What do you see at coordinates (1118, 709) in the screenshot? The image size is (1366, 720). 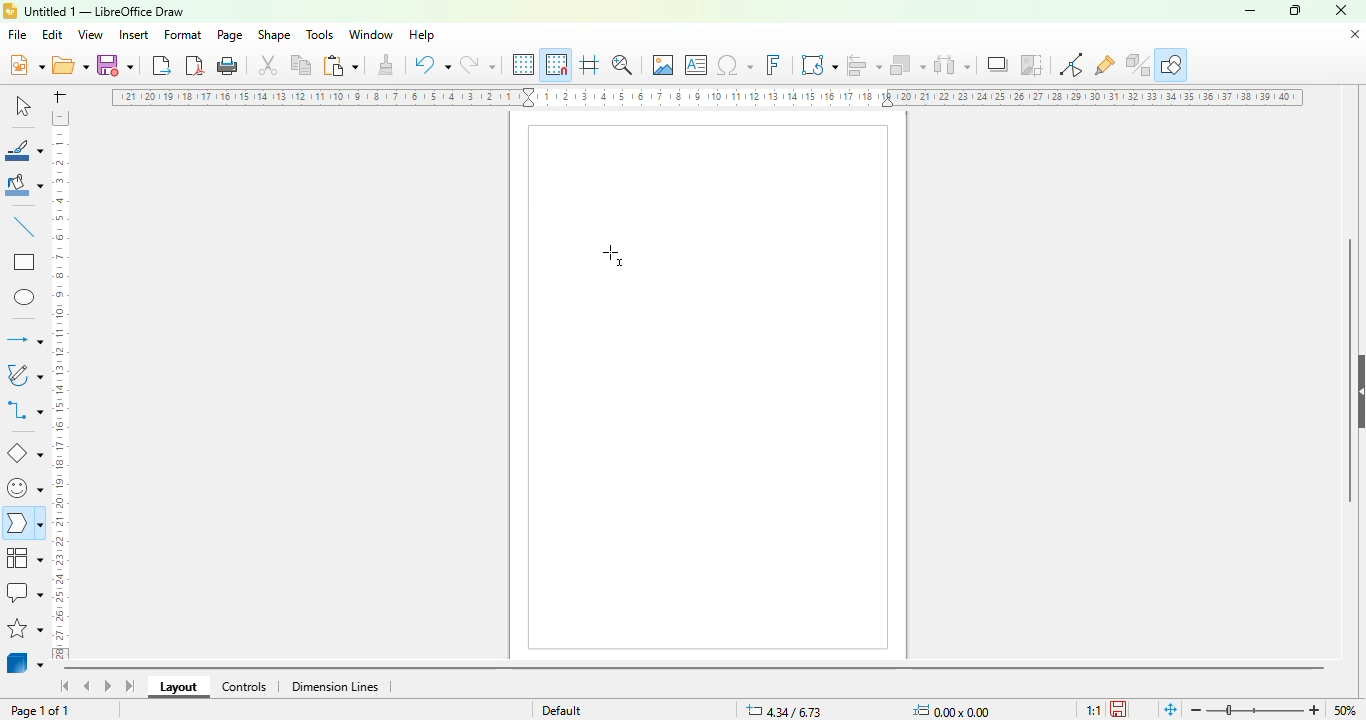 I see `click to save the document` at bounding box center [1118, 709].